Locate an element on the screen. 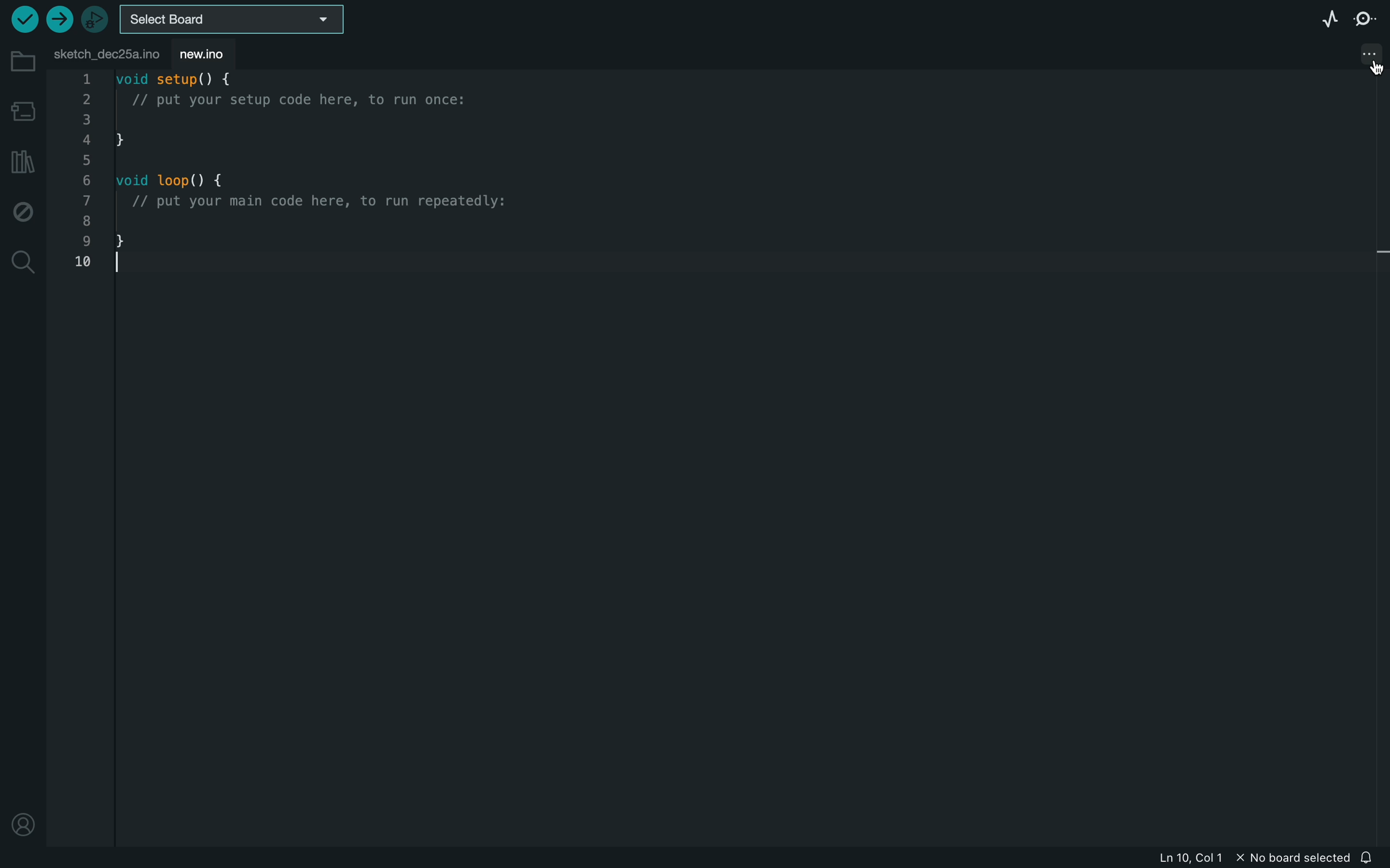 Image resolution: width=1390 pixels, height=868 pixels. serial monitor is located at coordinates (1364, 20).